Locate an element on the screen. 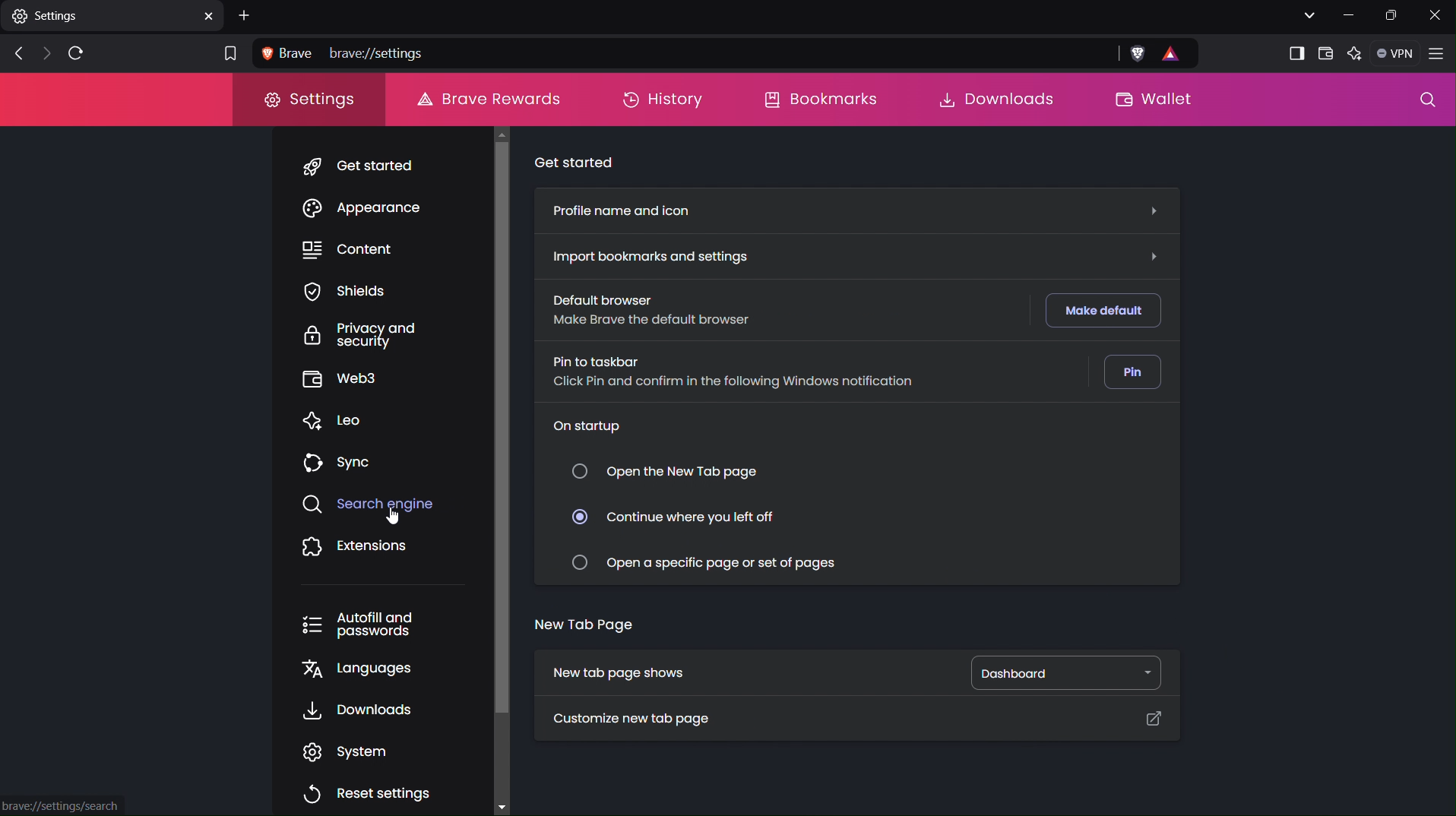  Leo AI is located at coordinates (1357, 54).